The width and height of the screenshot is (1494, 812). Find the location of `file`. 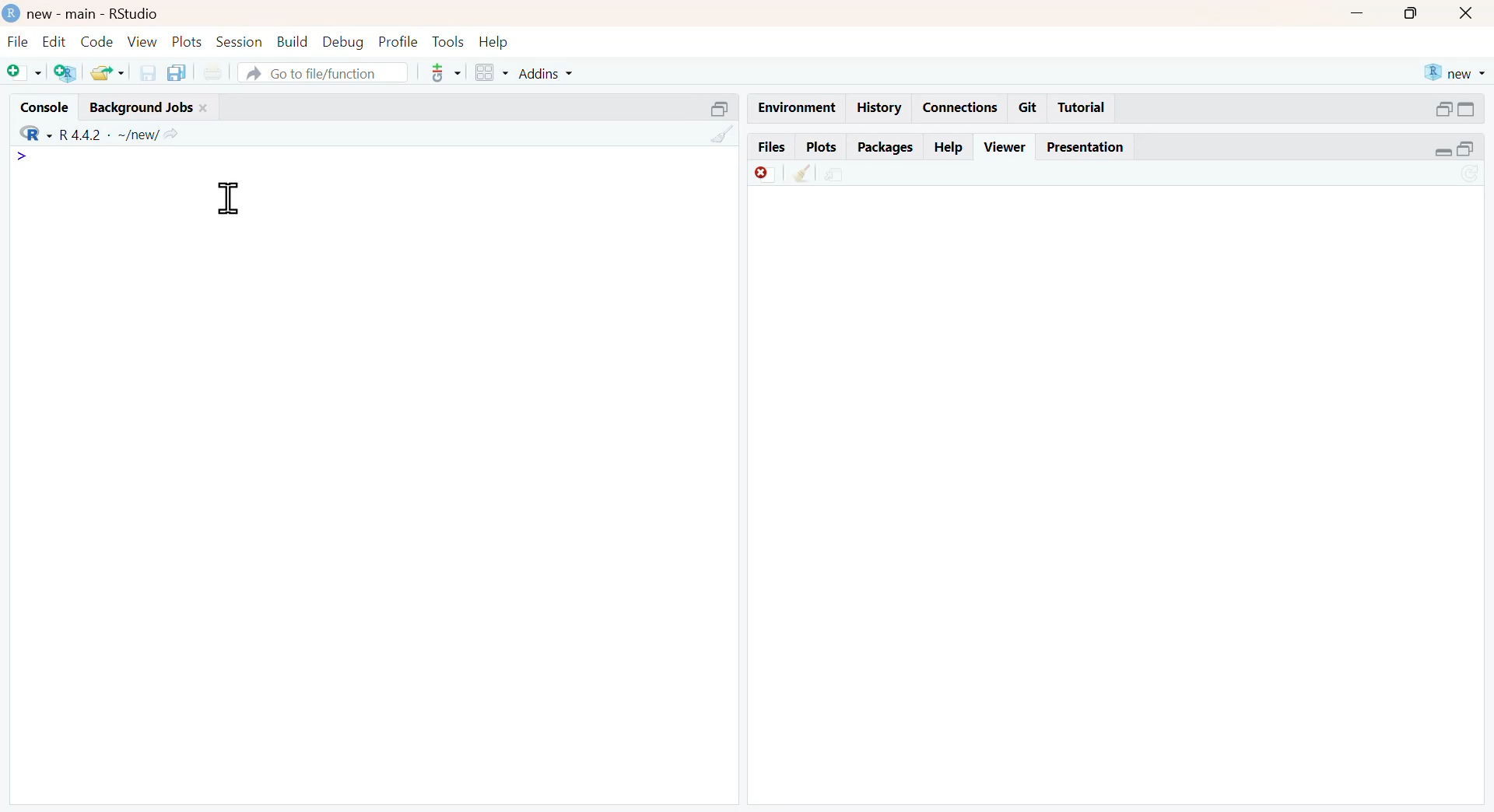

file is located at coordinates (18, 41).